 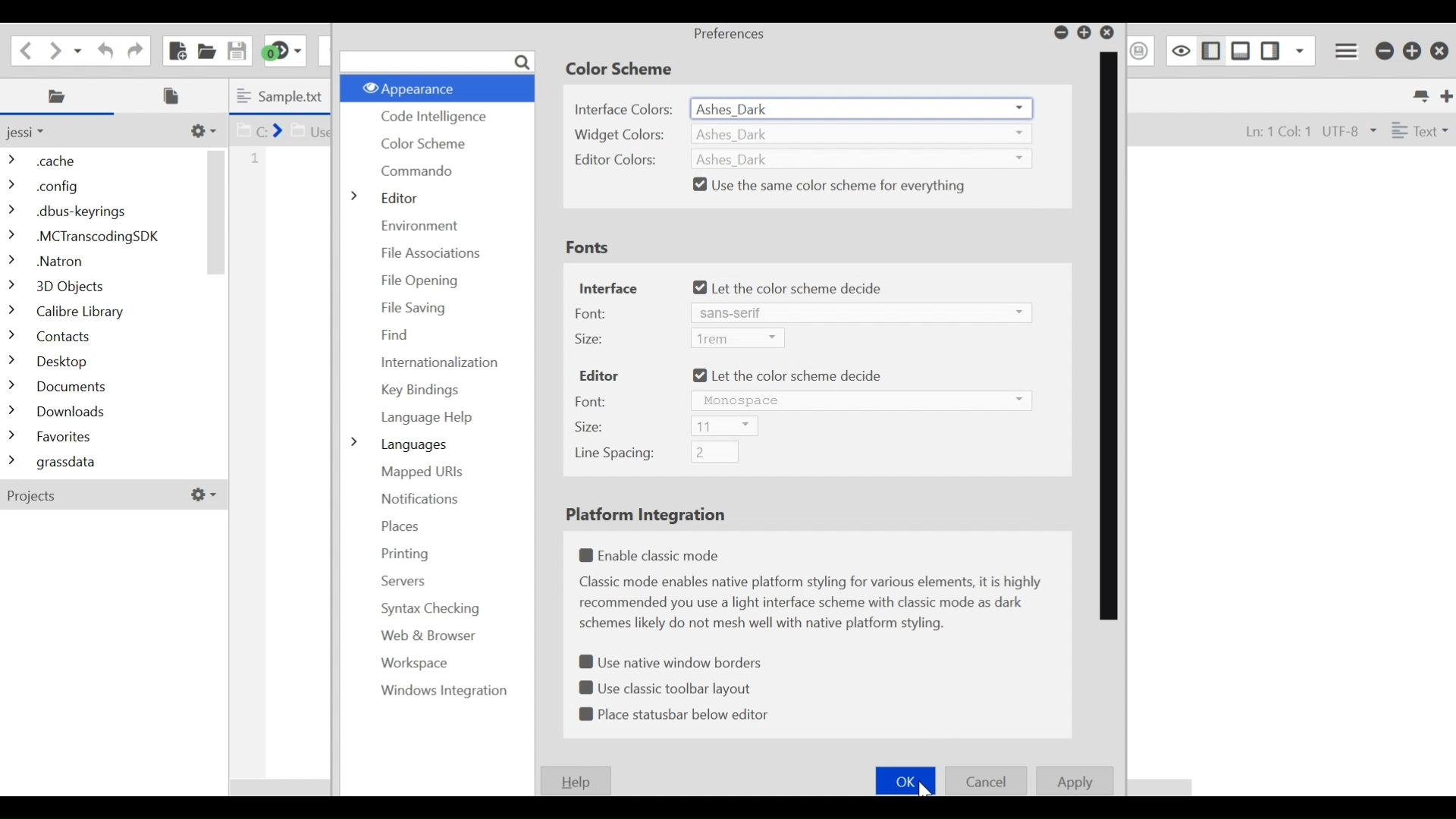 I want to click on Vertical Scroll bar, so click(x=217, y=212).